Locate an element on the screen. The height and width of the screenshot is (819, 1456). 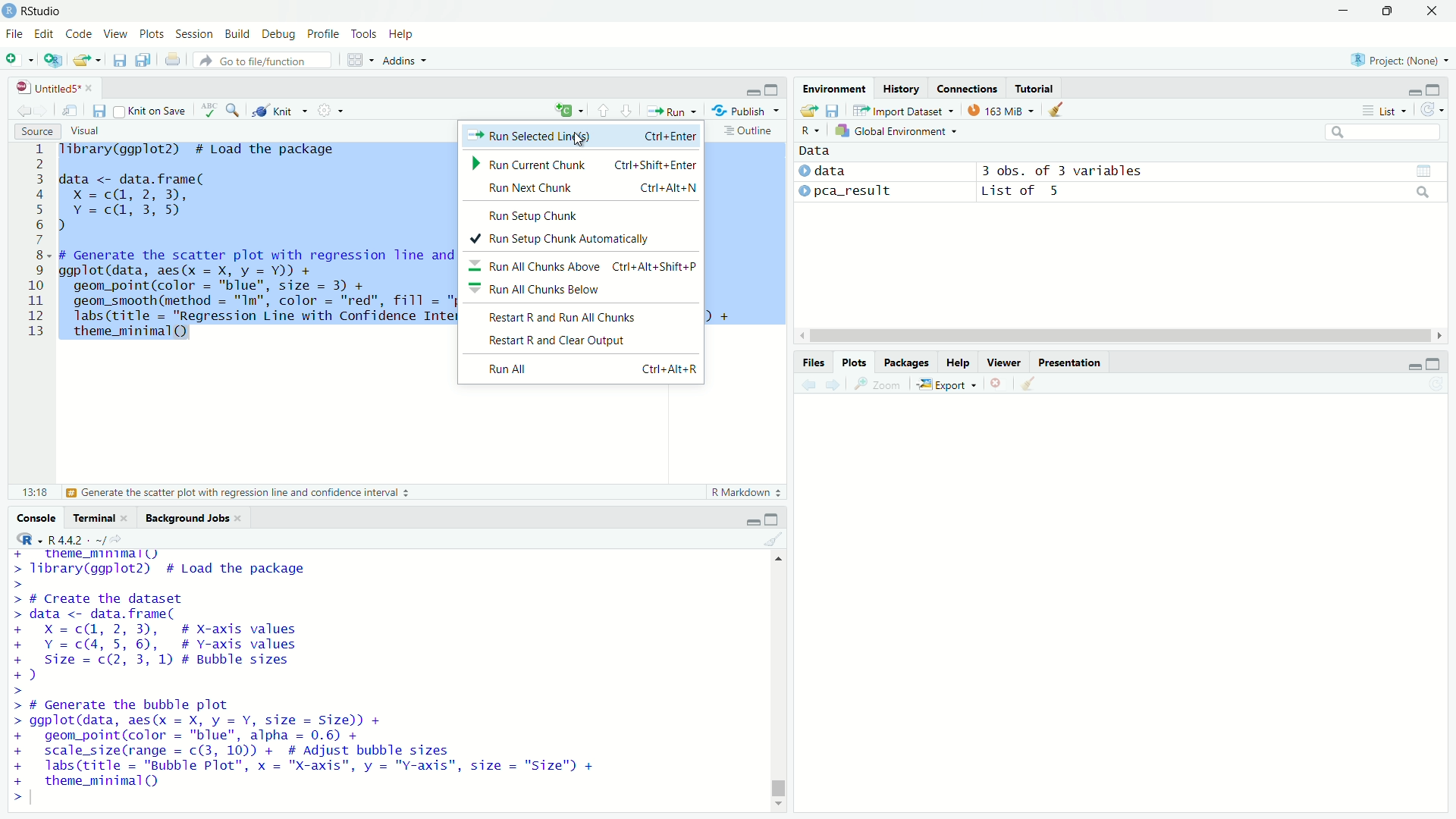
163 MiB is located at coordinates (1000, 109).